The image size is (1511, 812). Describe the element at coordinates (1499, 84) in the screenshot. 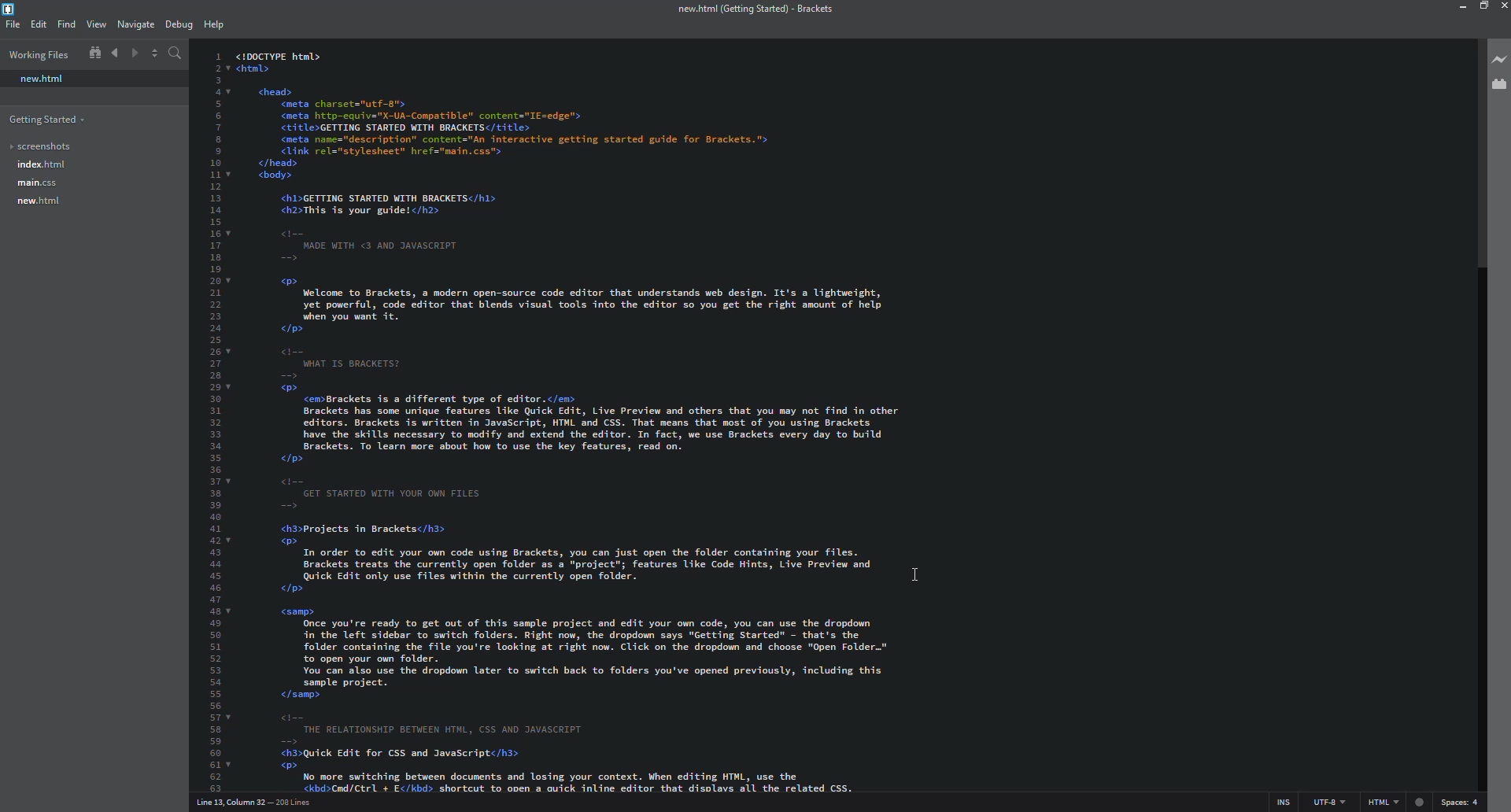

I see `extension manager` at that location.